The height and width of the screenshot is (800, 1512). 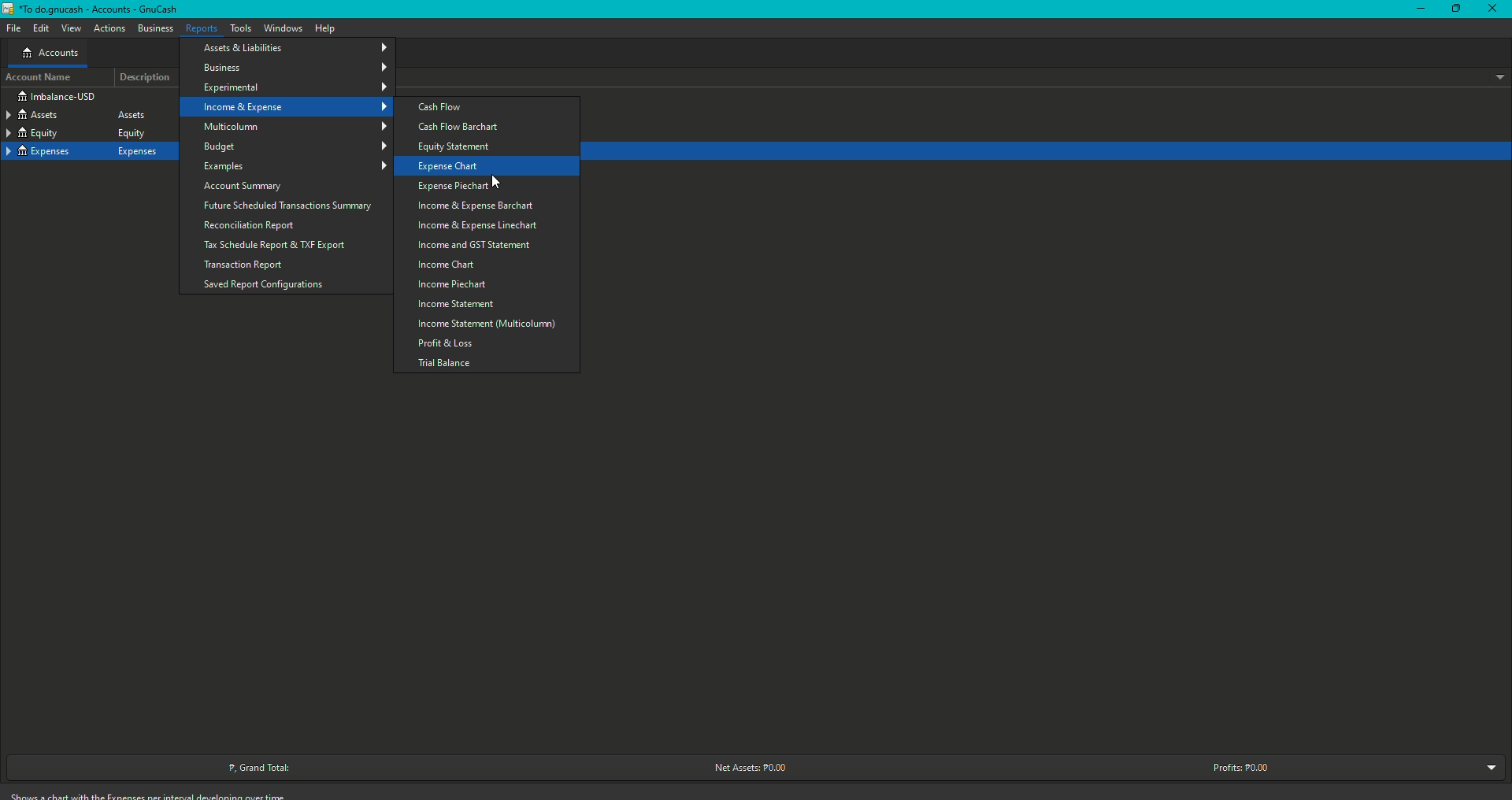 I want to click on Income Statement, so click(x=456, y=306).